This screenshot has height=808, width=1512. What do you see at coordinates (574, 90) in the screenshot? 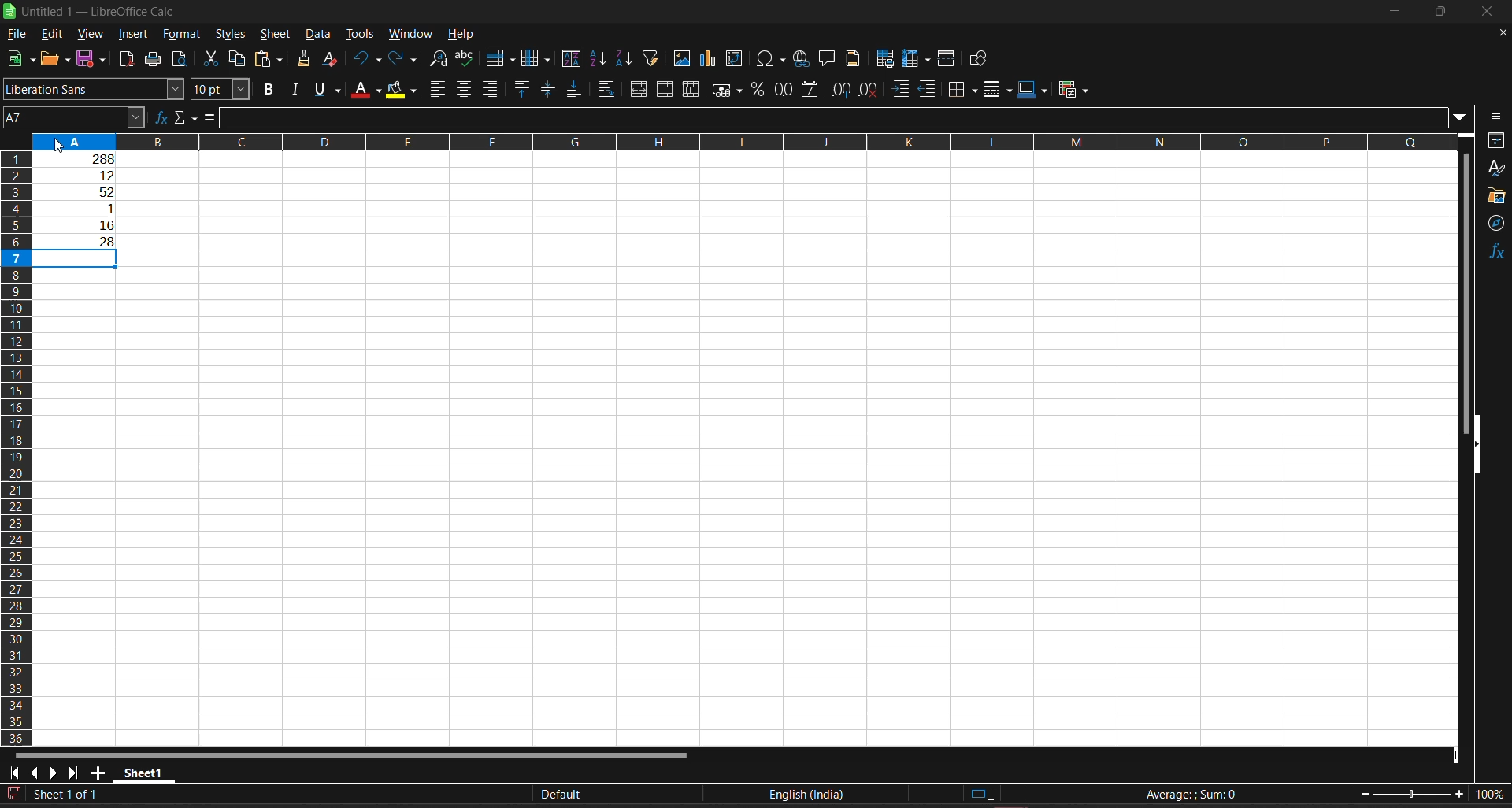
I see `align bottom` at bounding box center [574, 90].